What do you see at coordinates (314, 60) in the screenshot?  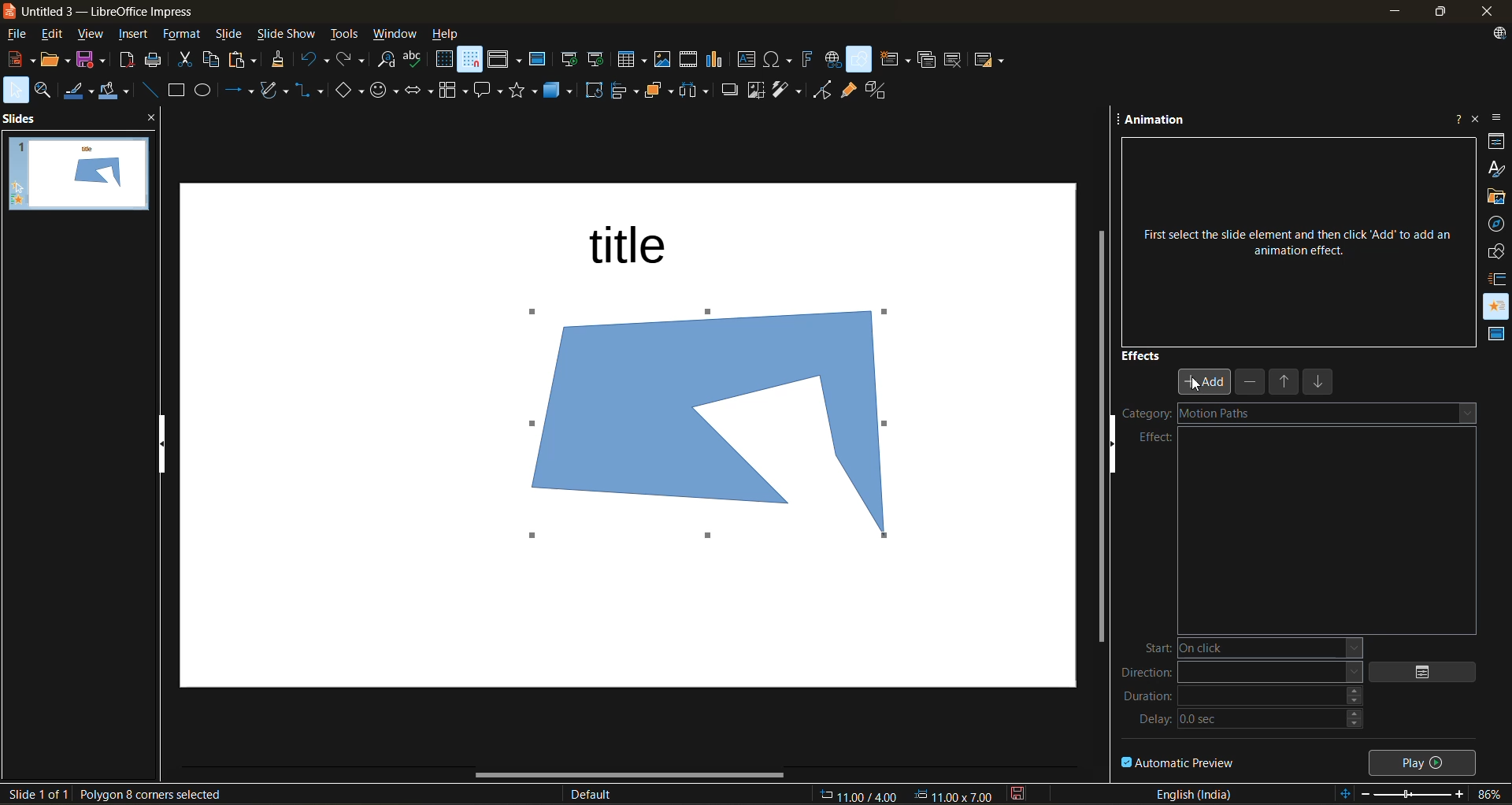 I see `undo` at bounding box center [314, 60].